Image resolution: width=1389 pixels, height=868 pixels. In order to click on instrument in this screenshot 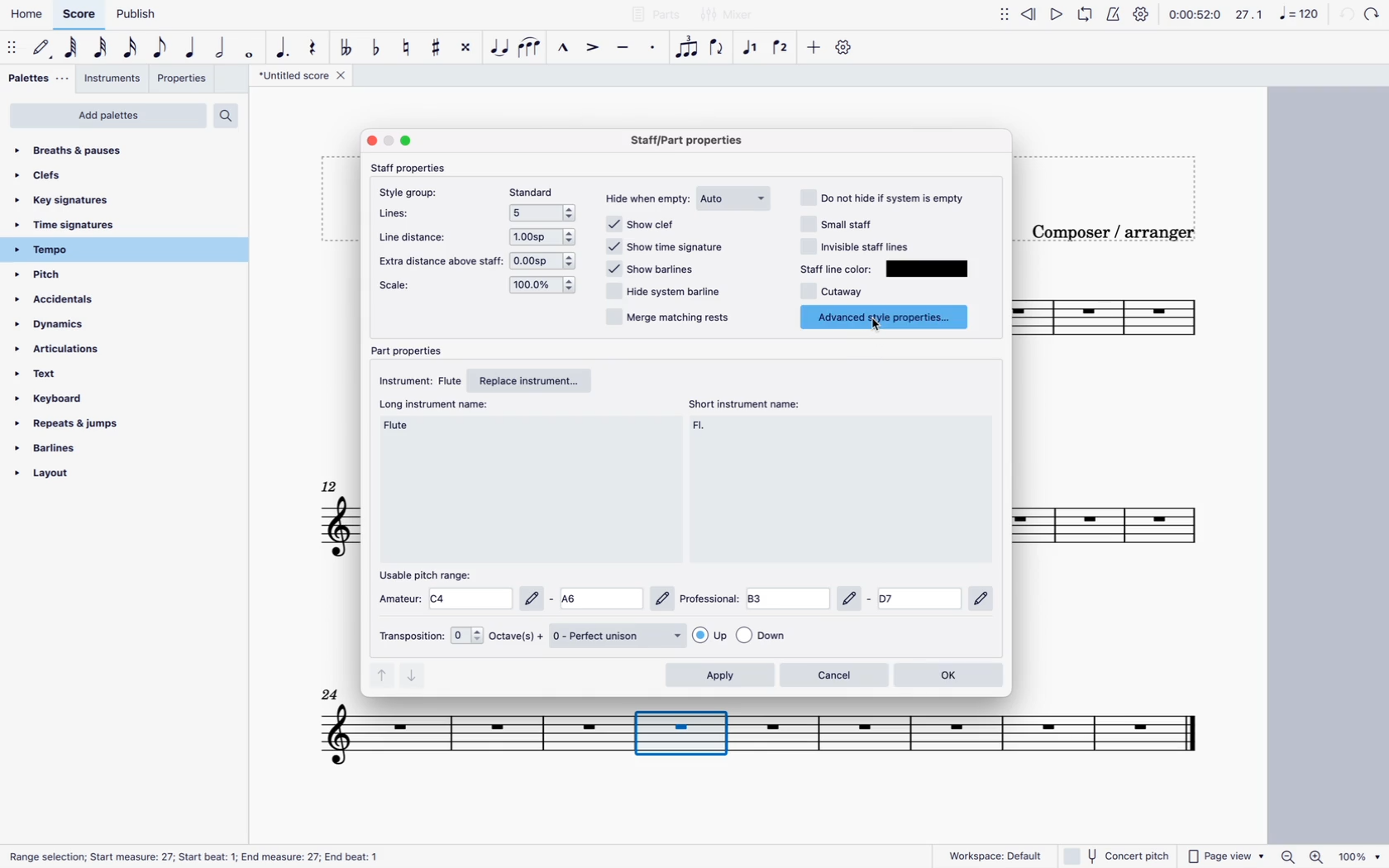, I will do `click(421, 380)`.